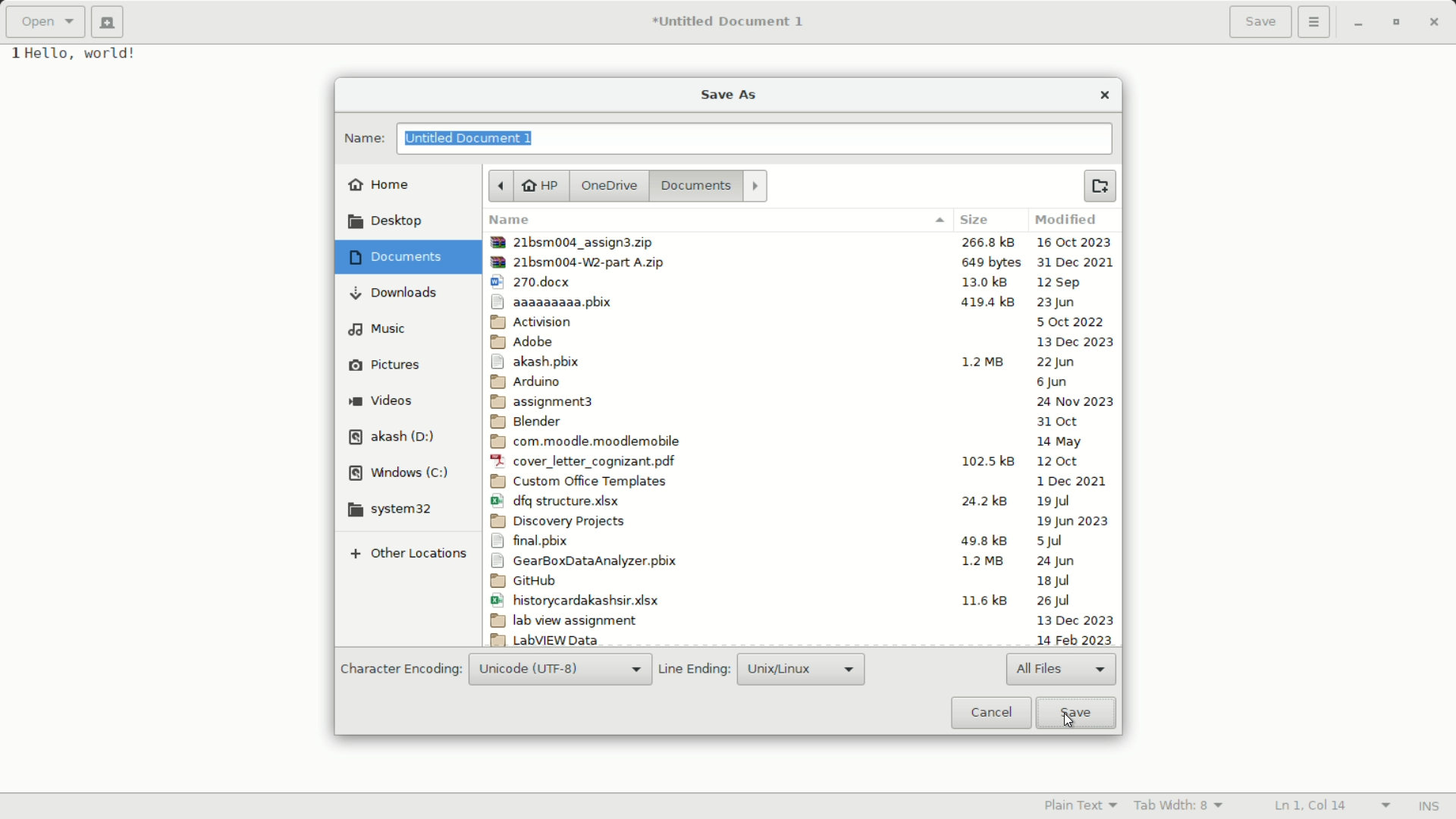 This screenshot has width=1456, height=819. Describe the element at coordinates (798, 600) in the screenshot. I see `File` at that location.